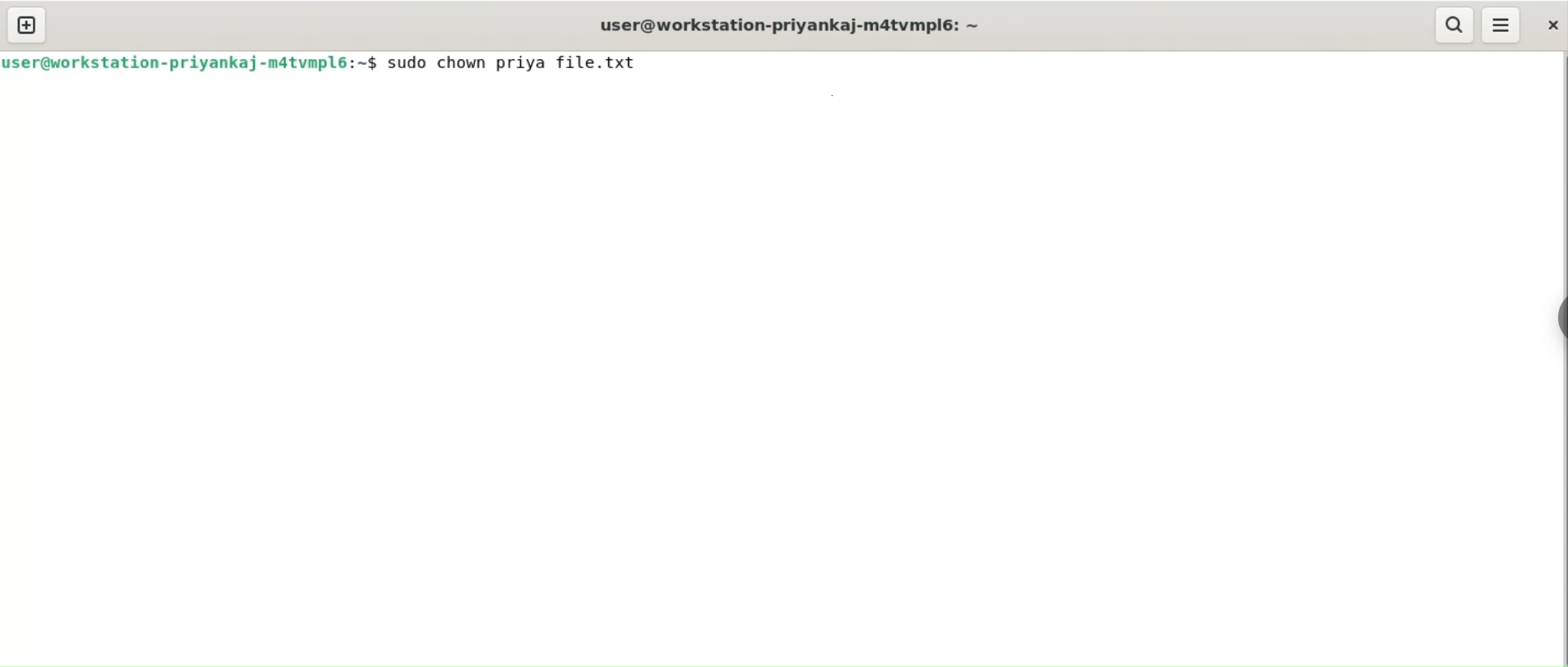 This screenshot has height=667, width=1568. I want to click on new tab, so click(27, 26).